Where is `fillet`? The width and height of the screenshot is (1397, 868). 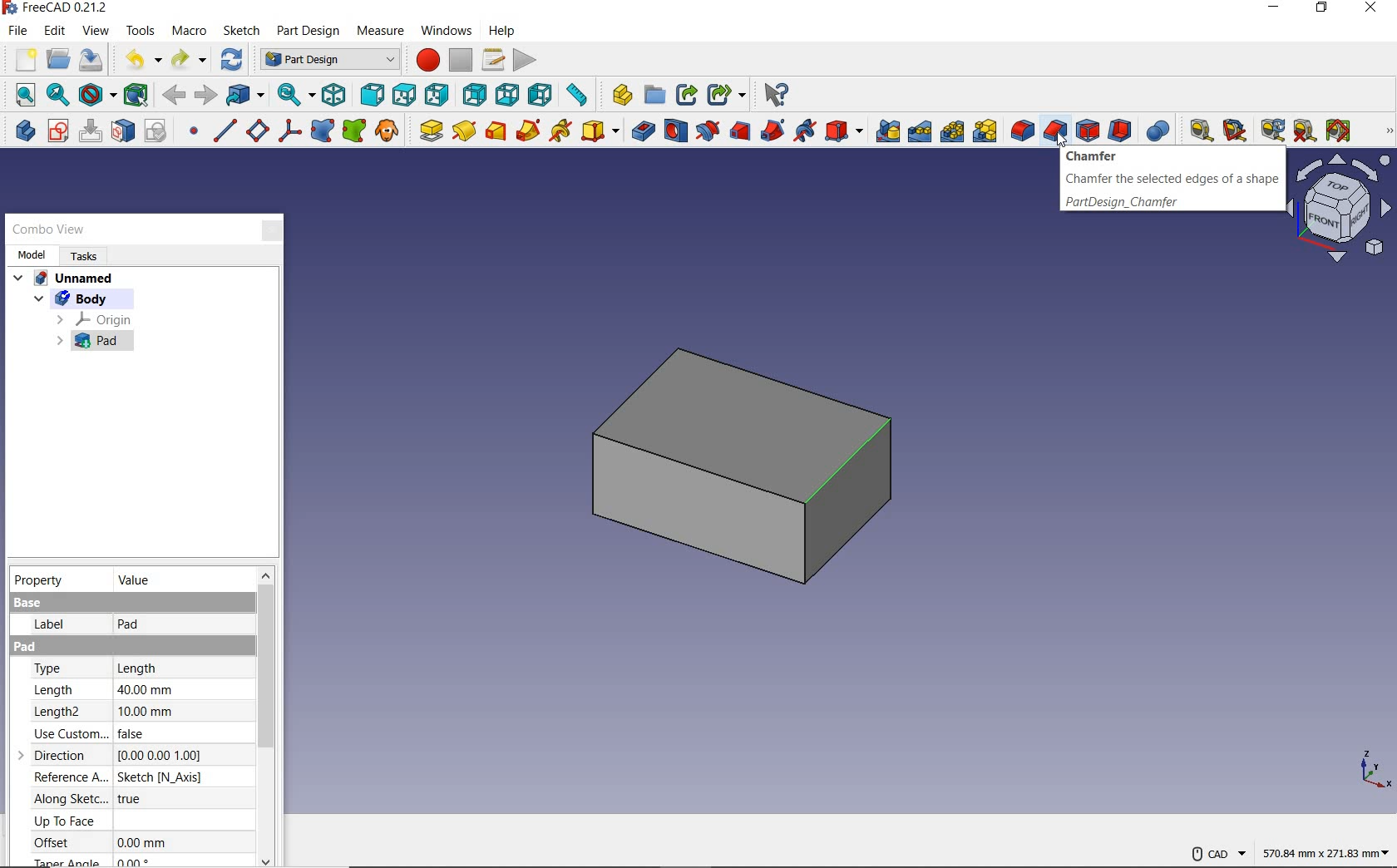 fillet is located at coordinates (1021, 131).